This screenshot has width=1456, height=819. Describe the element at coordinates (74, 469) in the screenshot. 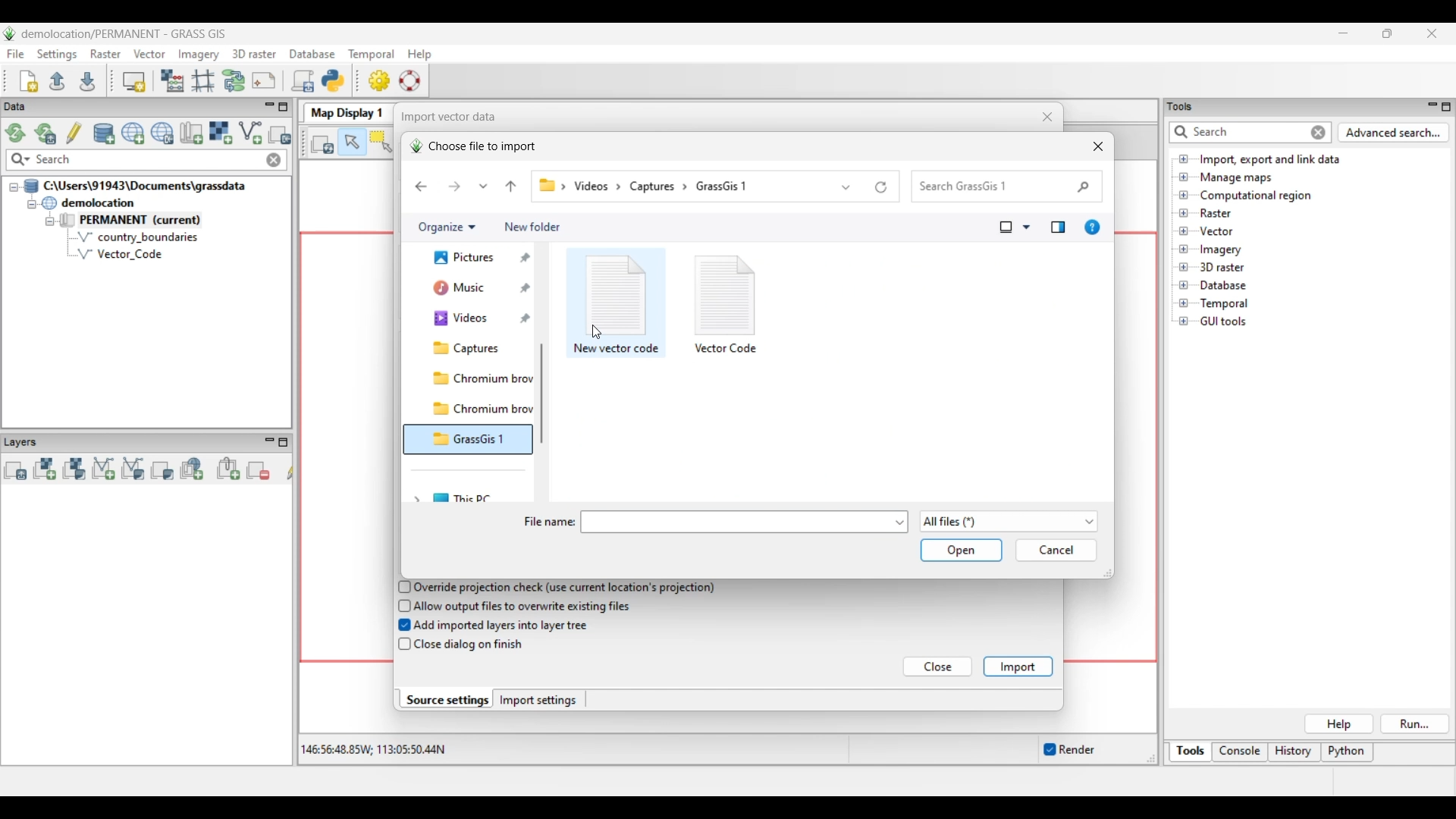

I see `Add various raster map layers` at that location.